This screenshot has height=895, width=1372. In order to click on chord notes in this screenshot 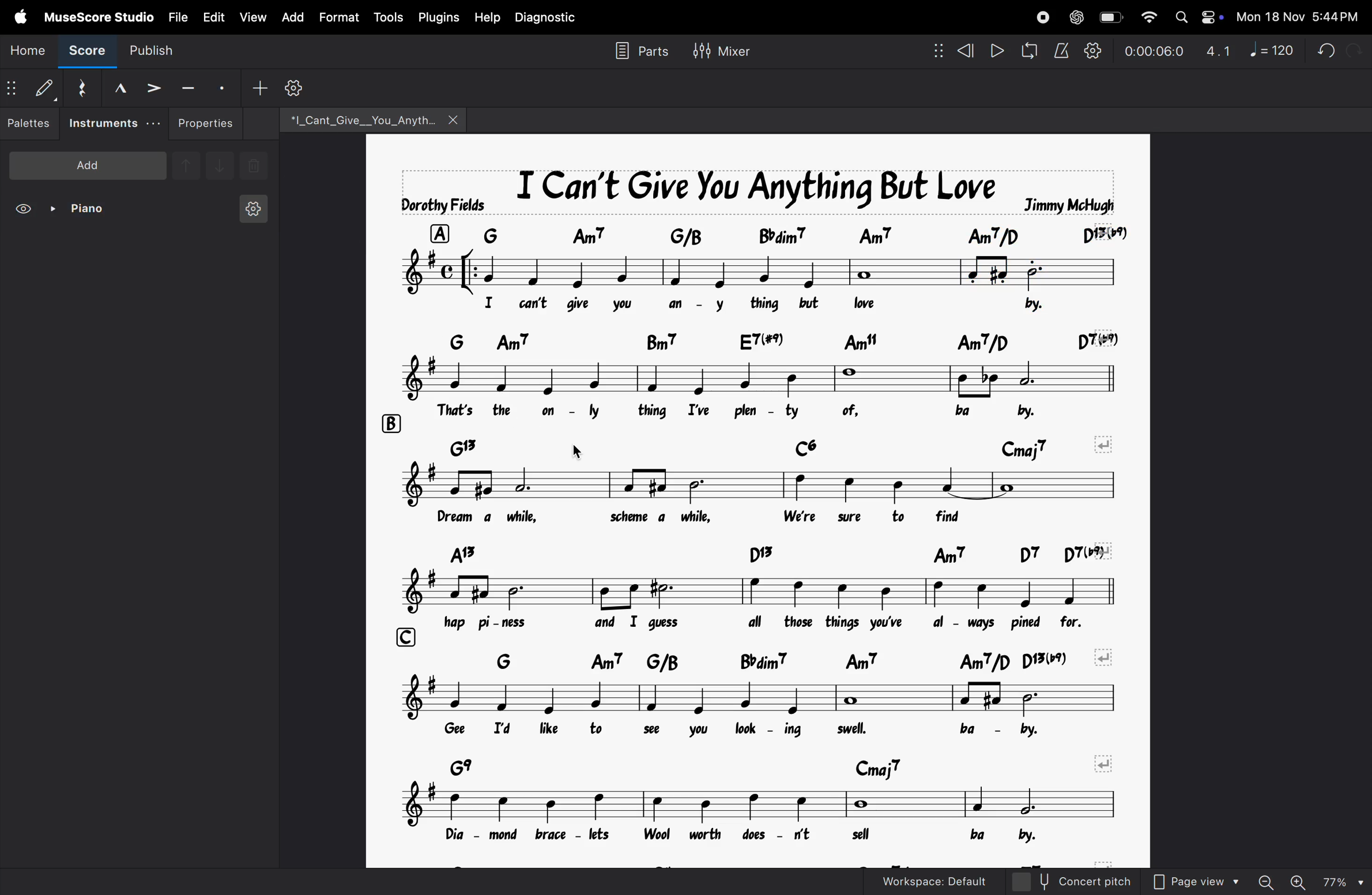, I will do `click(785, 447)`.